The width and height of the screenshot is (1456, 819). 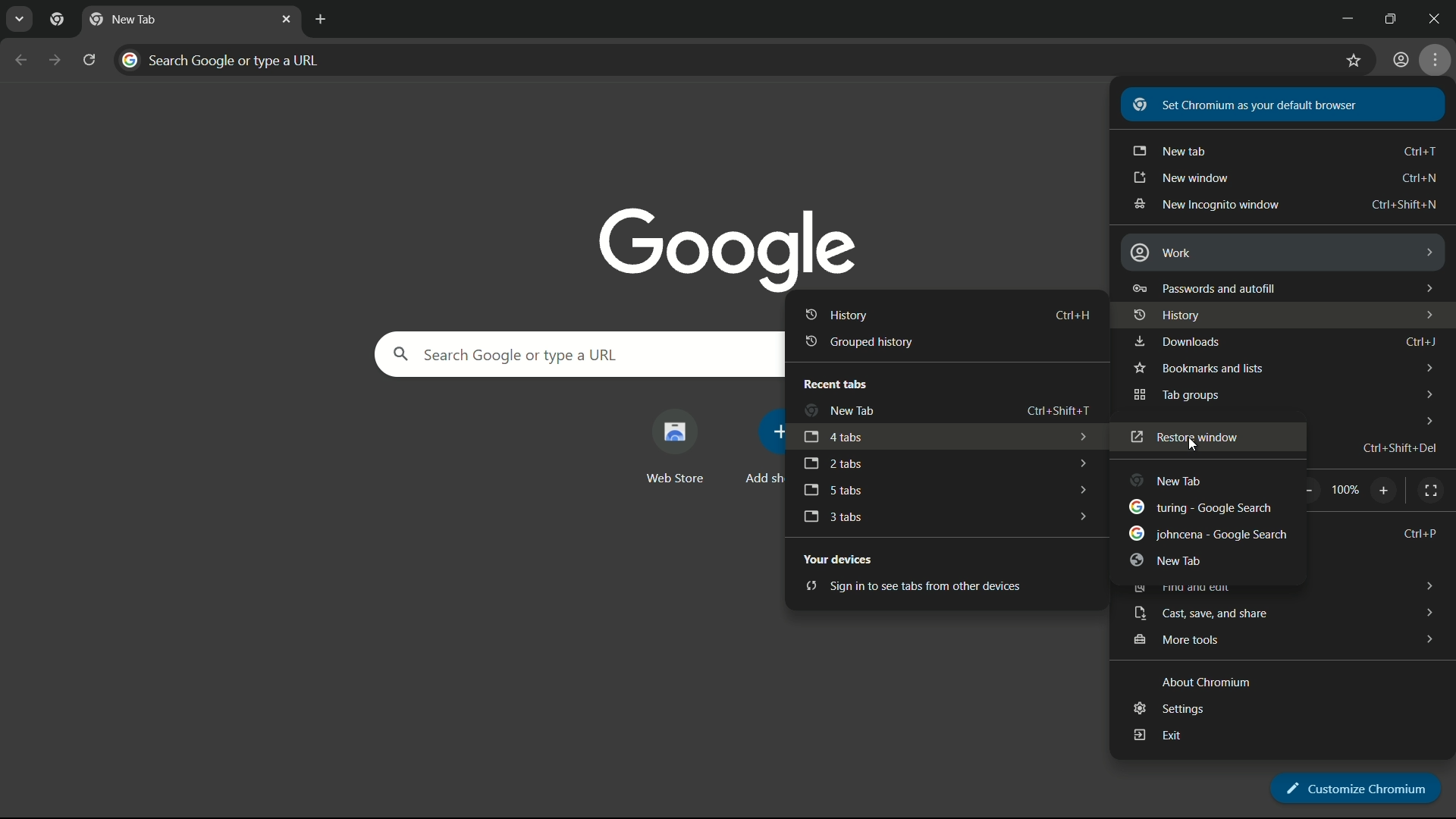 I want to click on user profile, so click(x=1397, y=59).